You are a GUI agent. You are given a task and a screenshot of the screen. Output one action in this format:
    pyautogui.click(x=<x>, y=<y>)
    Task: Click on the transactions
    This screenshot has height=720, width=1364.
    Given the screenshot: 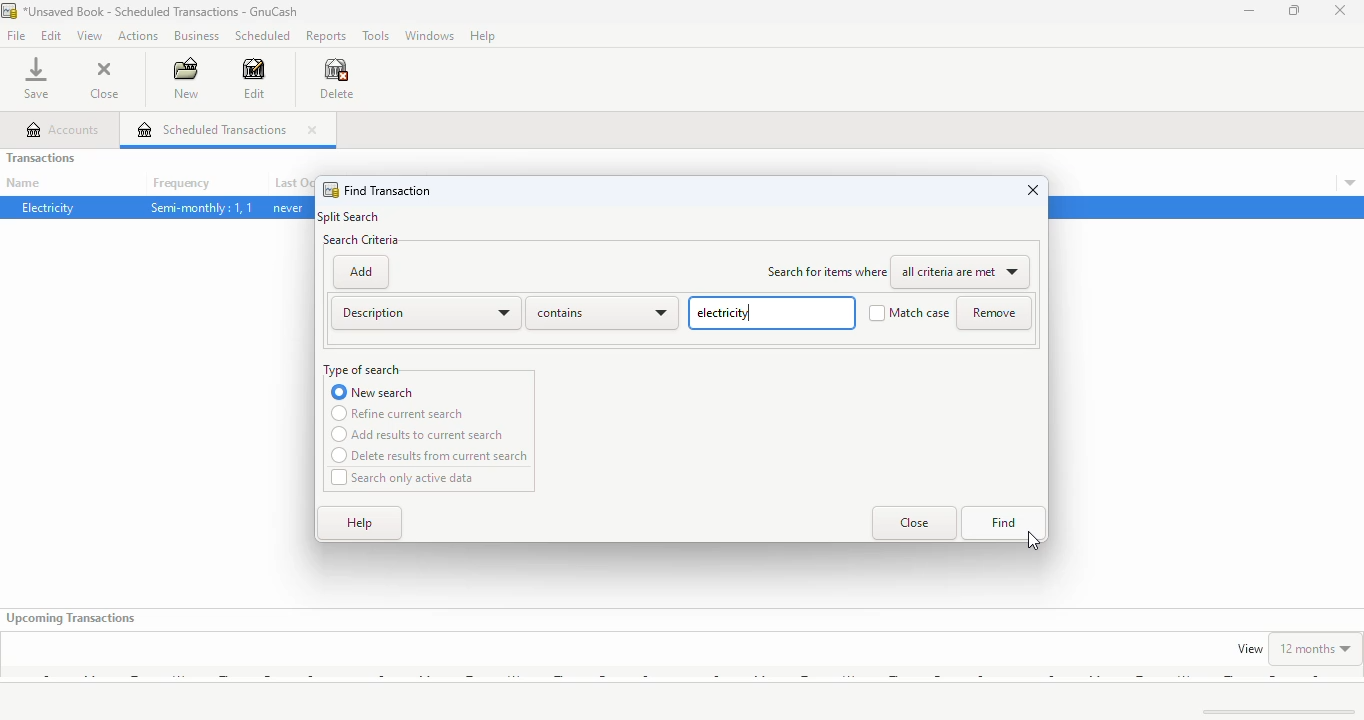 What is the action you would take?
    pyautogui.click(x=41, y=157)
    